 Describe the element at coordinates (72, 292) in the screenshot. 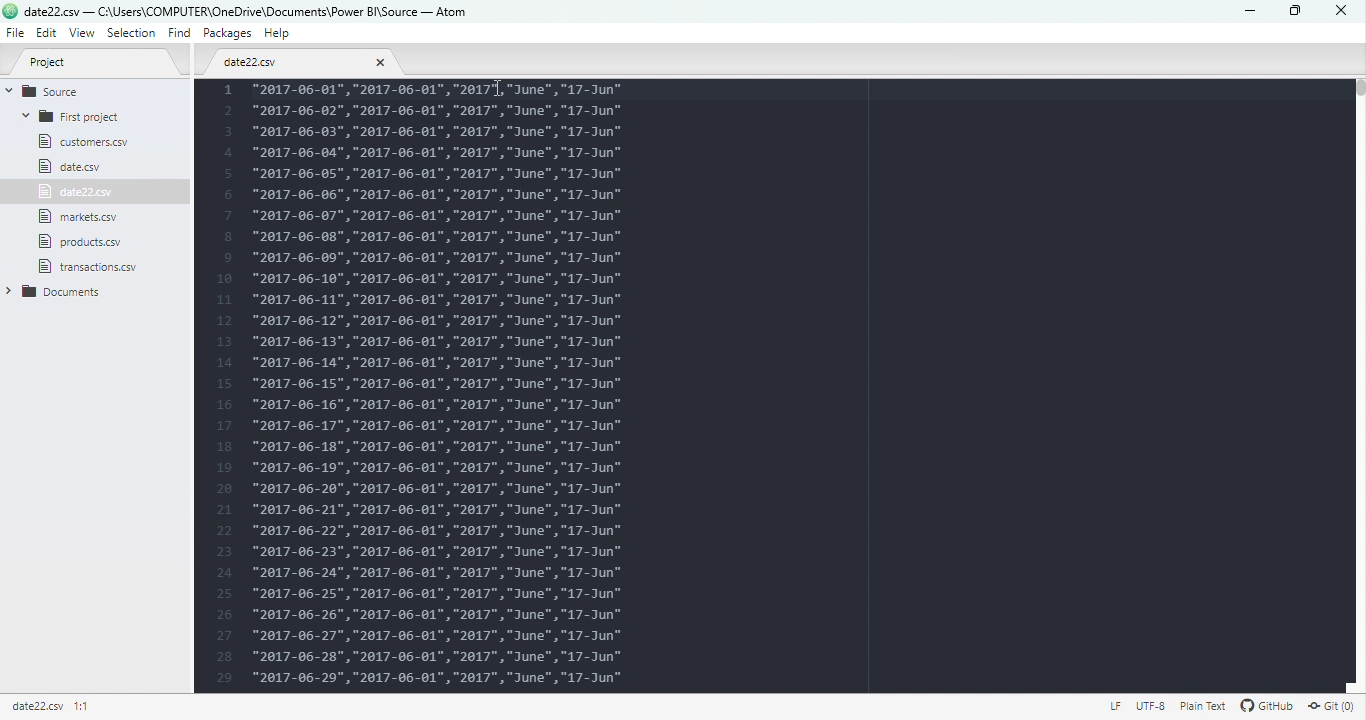

I see `folder` at that location.